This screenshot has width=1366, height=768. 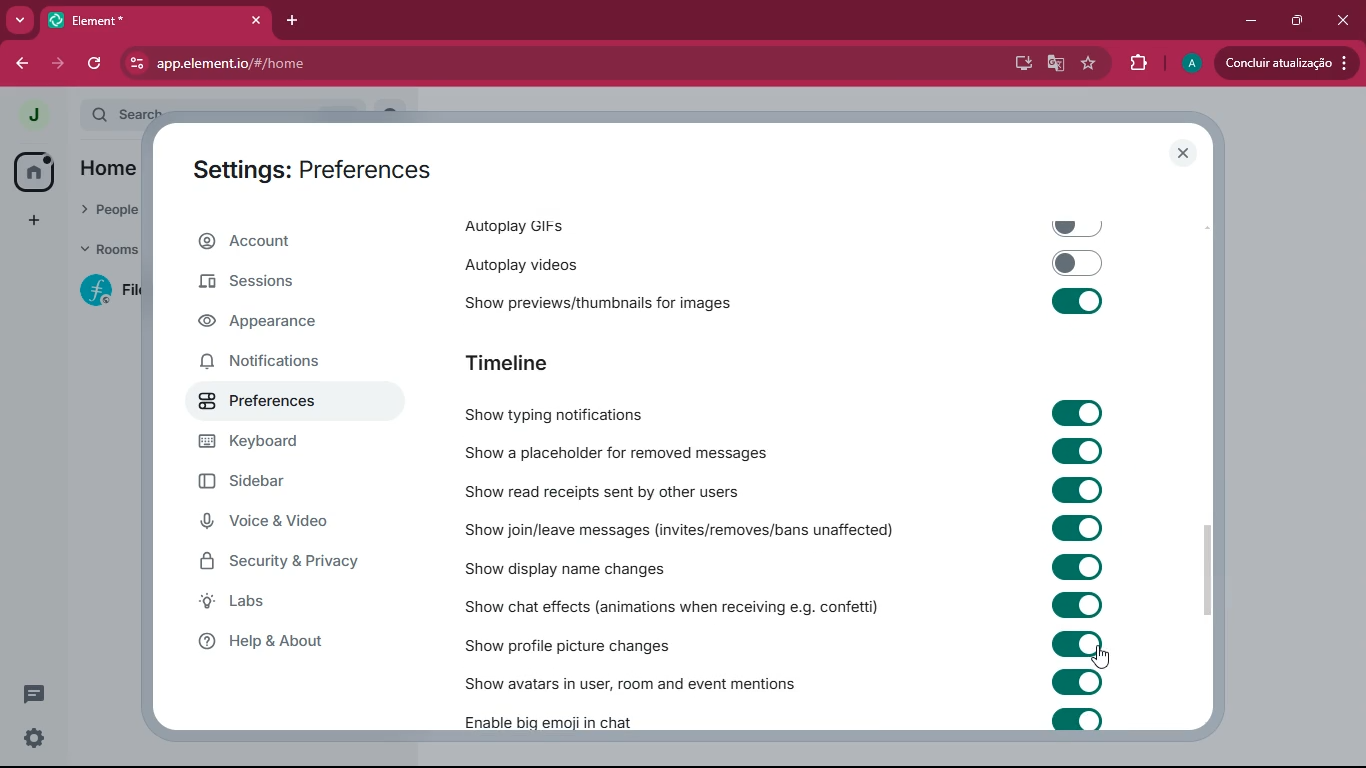 What do you see at coordinates (1138, 63) in the screenshot?
I see `extensions` at bounding box center [1138, 63].